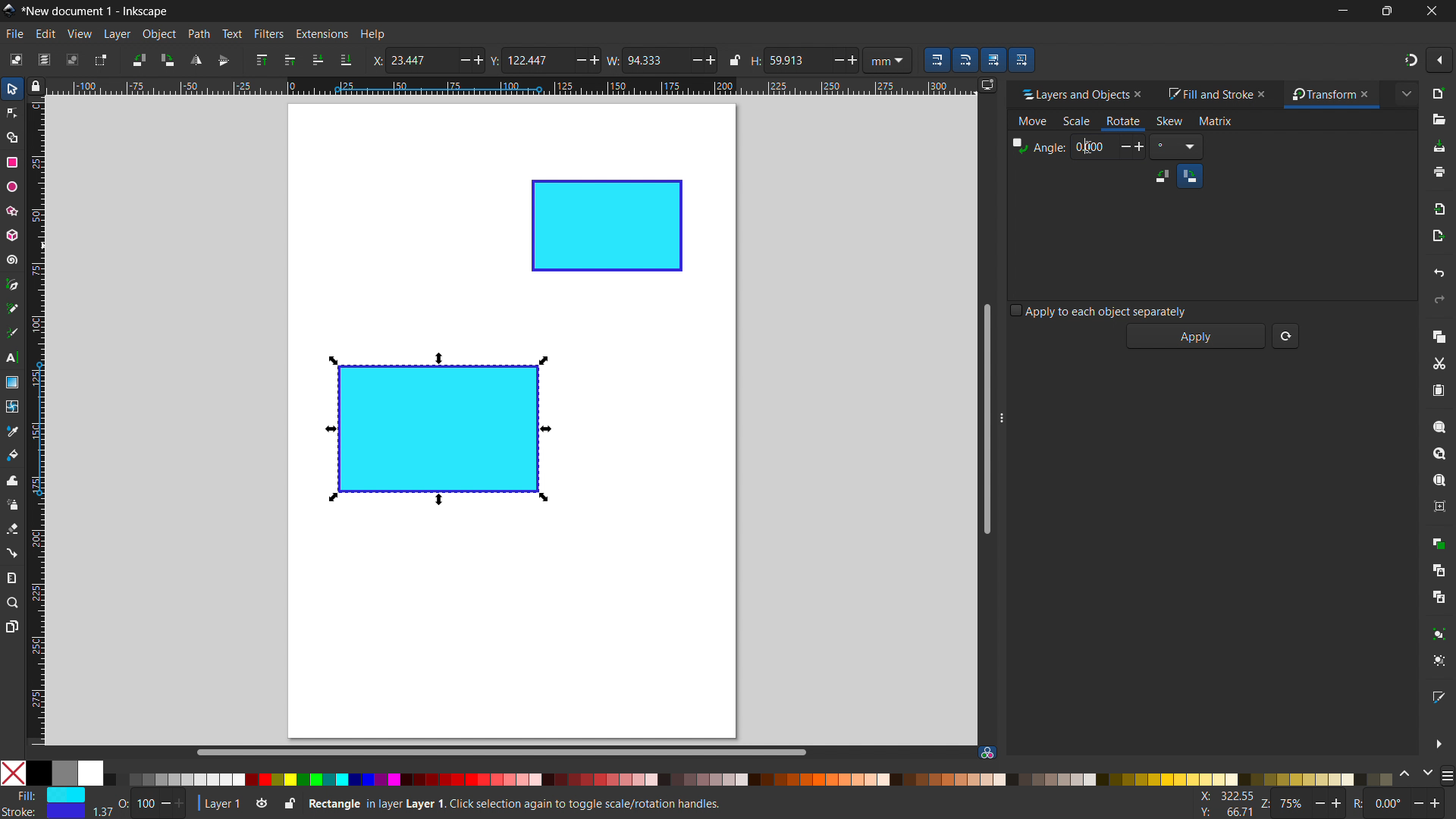 This screenshot has width=1456, height=819. Describe the element at coordinates (1439, 365) in the screenshot. I see `cut` at that location.